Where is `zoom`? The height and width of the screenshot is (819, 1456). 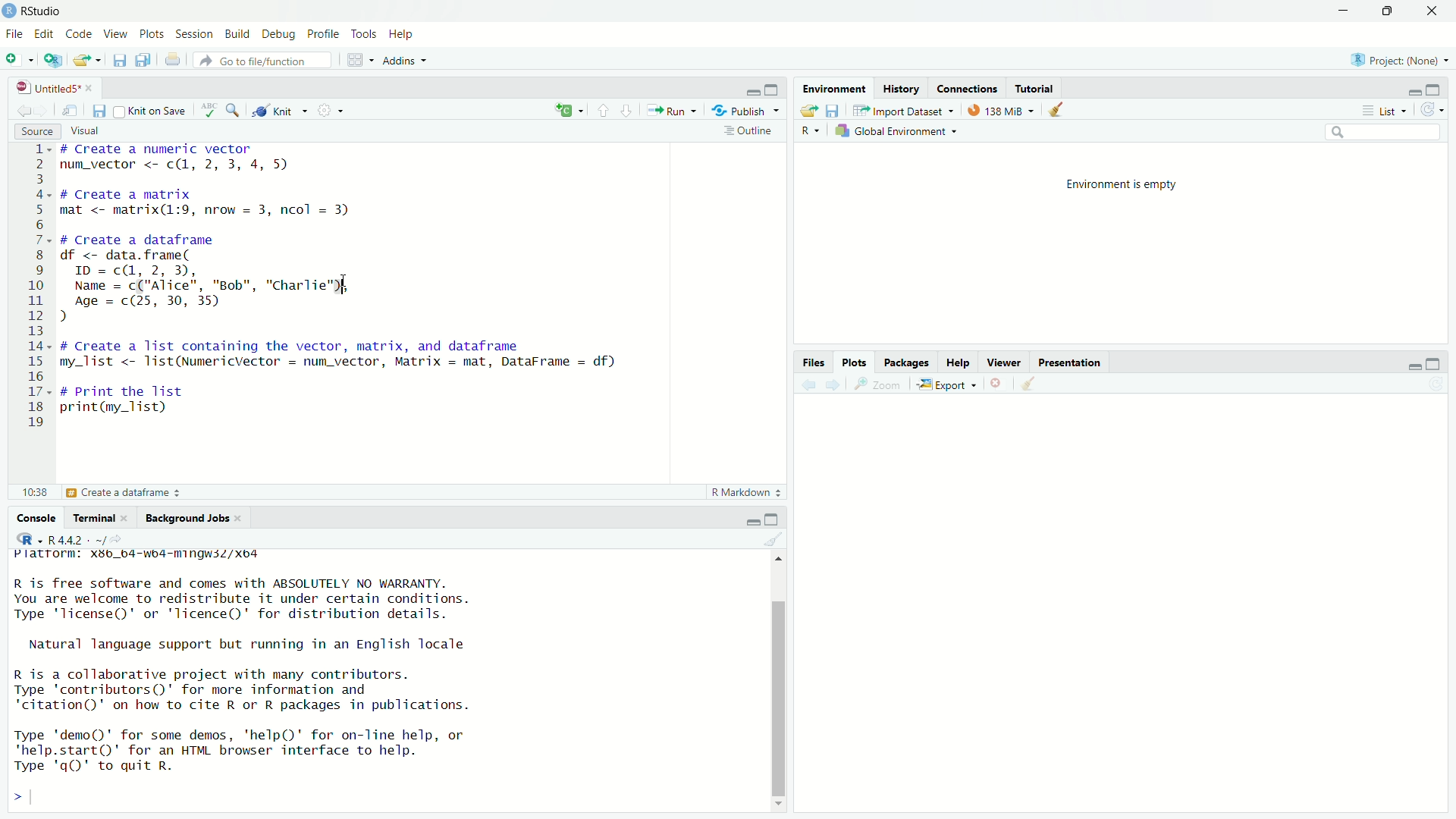
zoom is located at coordinates (877, 385).